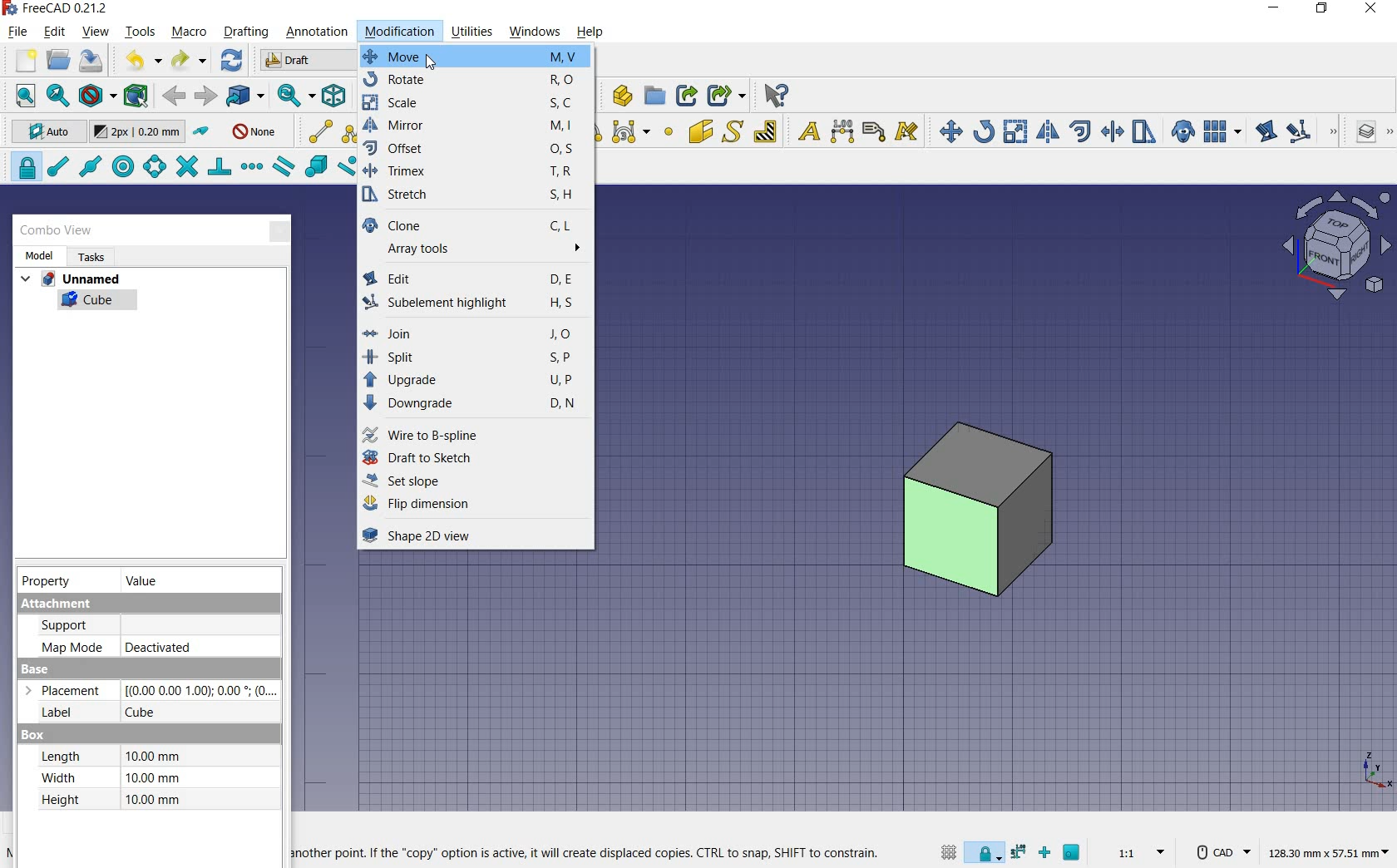 This screenshot has height=868, width=1397. I want to click on redo, so click(186, 61).